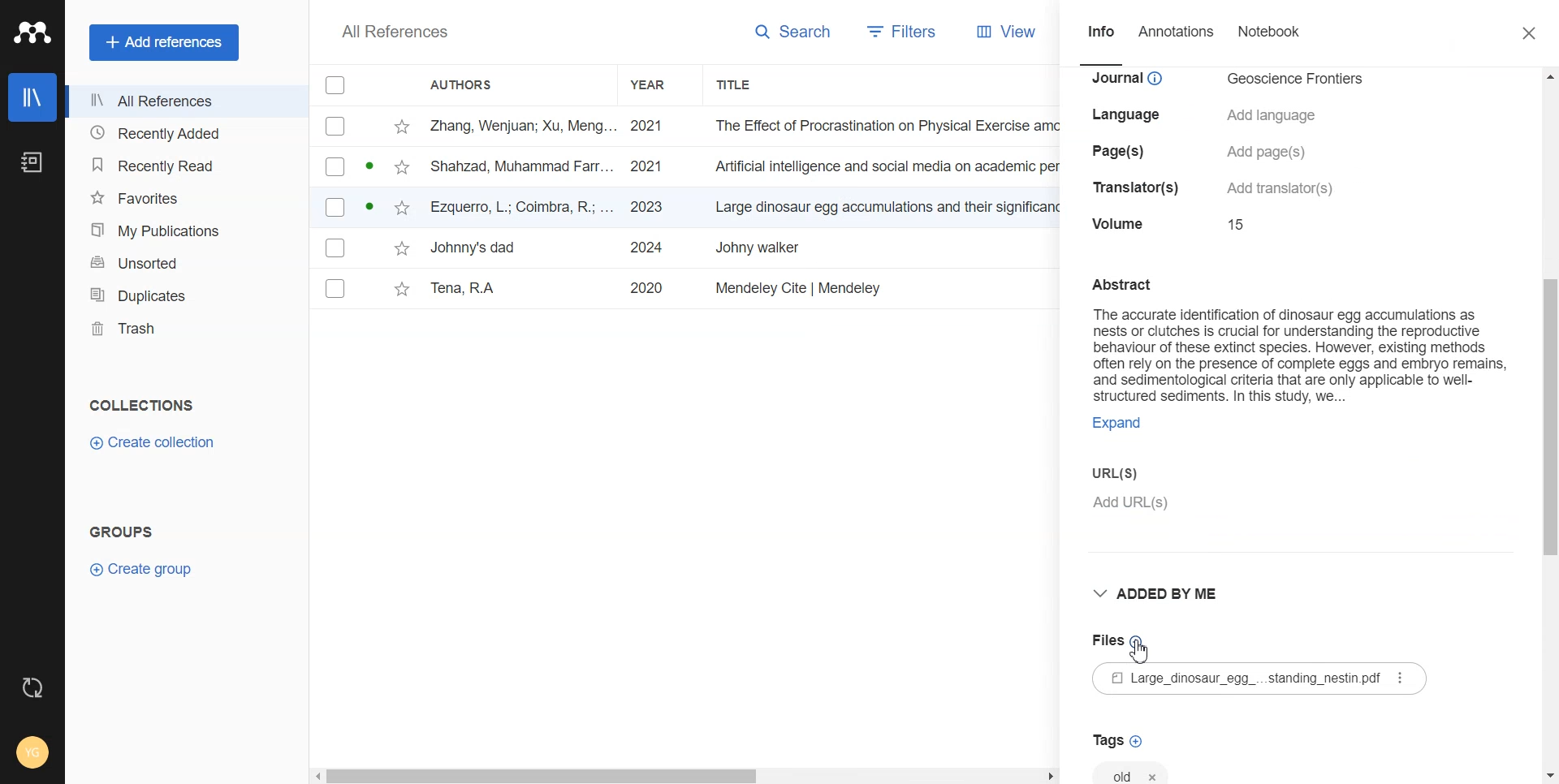 Image resolution: width=1559 pixels, height=784 pixels. What do you see at coordinates (30, 749) in the screenshot?
I see `Account` at bounding box center [30, 749].